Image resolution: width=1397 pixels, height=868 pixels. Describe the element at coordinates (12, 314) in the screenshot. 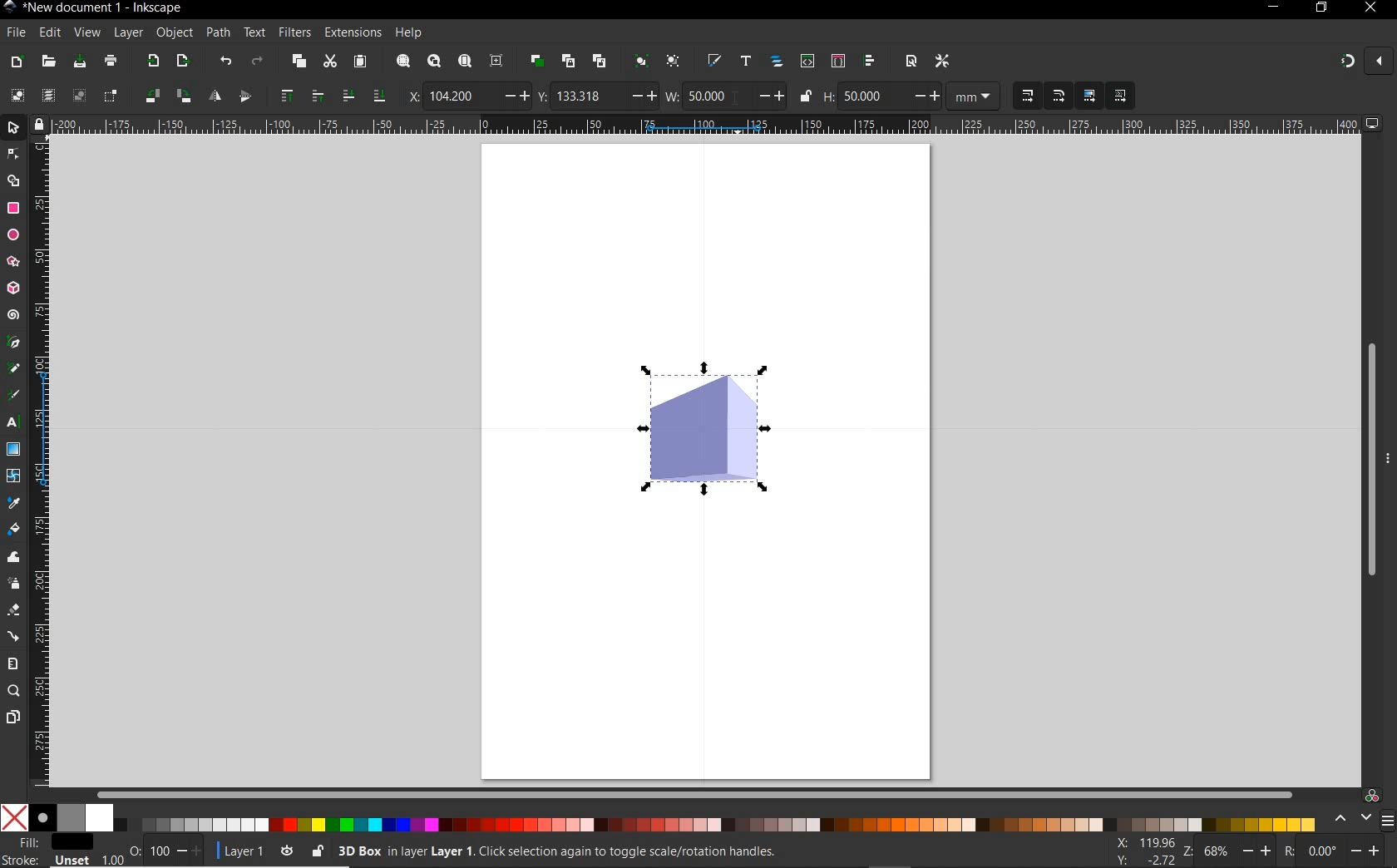

I see `spiral tool` at that location.